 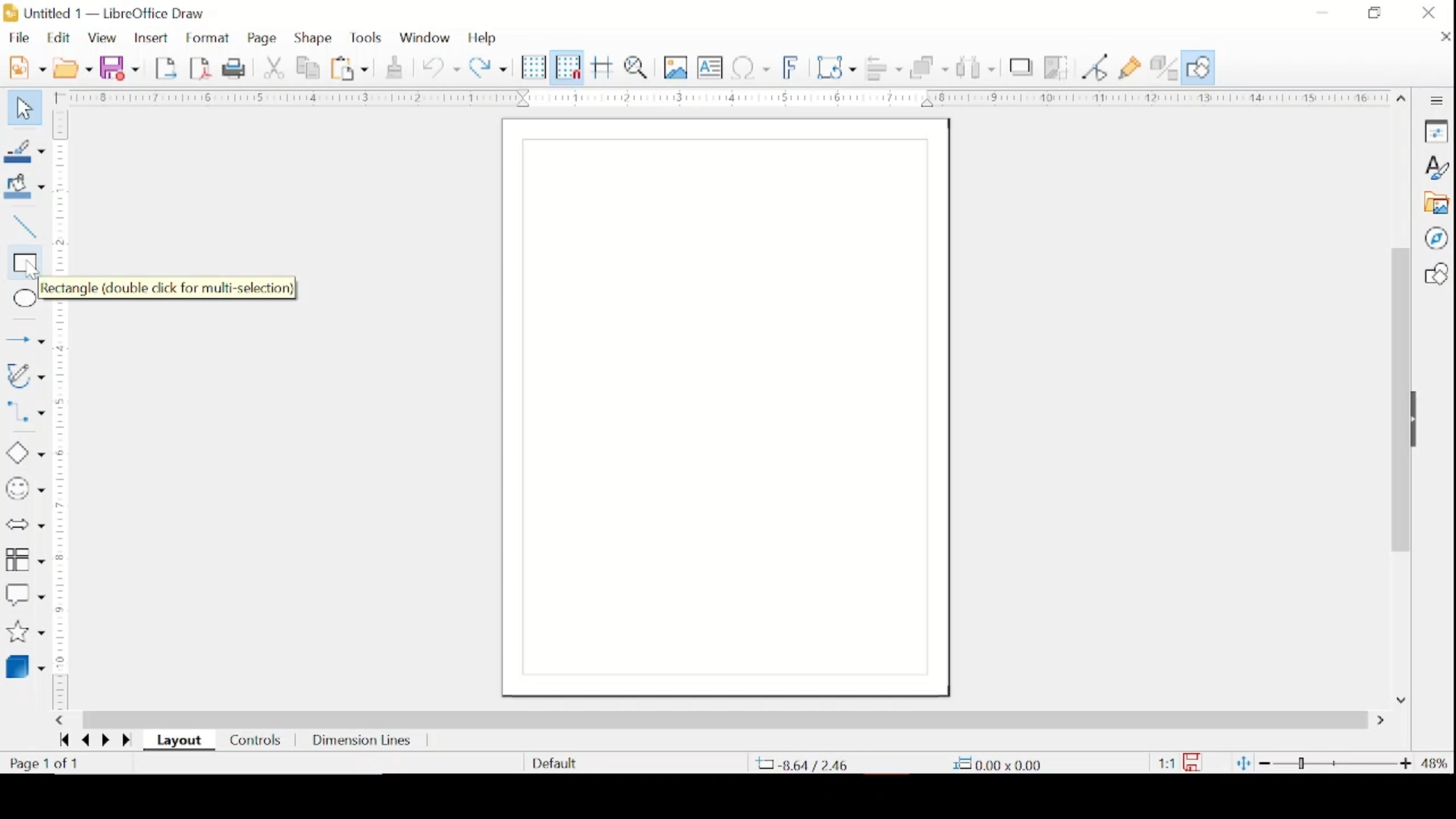 What do you see at coordinates (425, 36) in the screenshot?
I see `window` at bounding box center [425, 36].